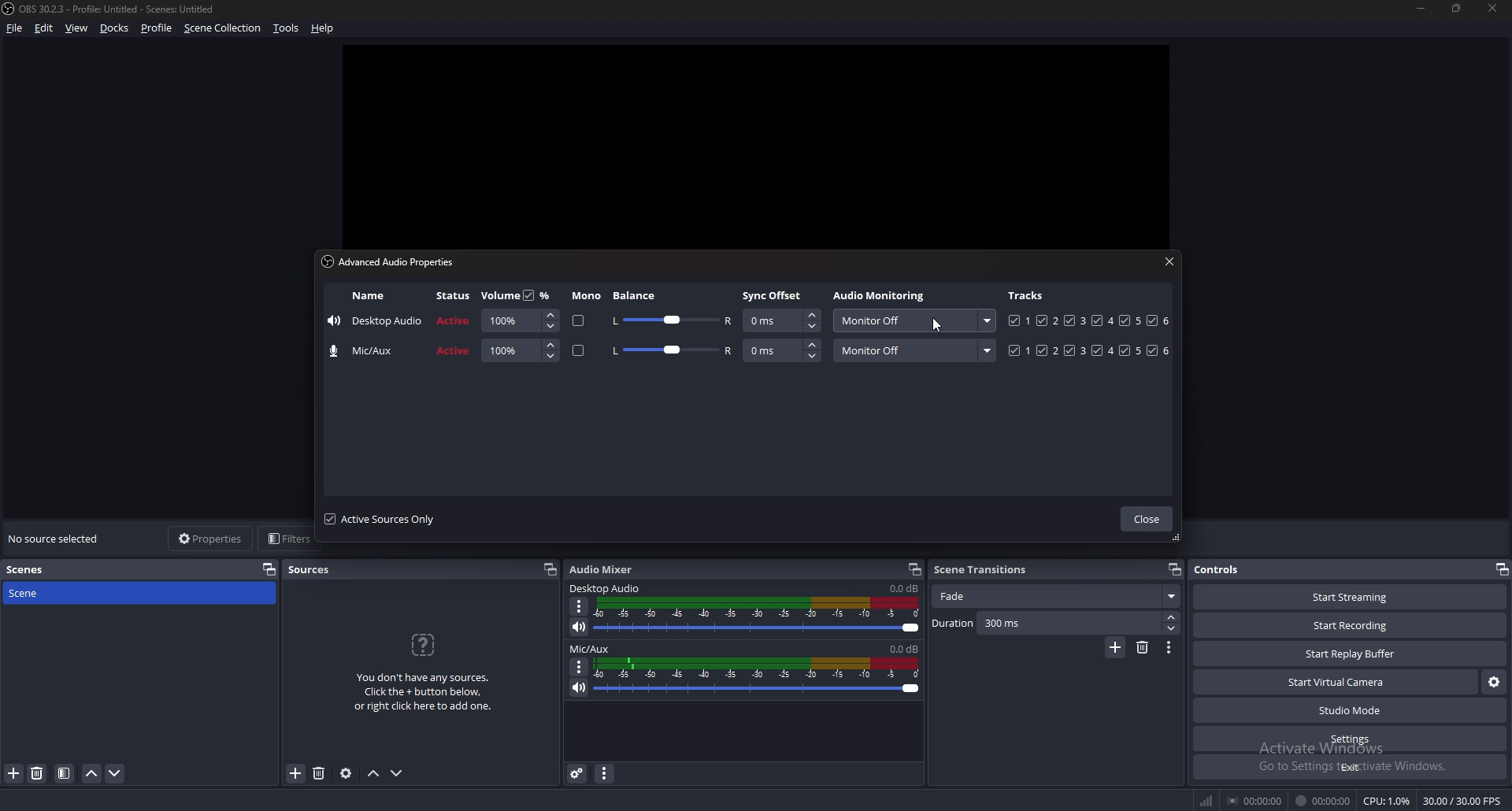 This screenshot has width=1512, height=811. I want to click on tracks, so click(1087, 350).